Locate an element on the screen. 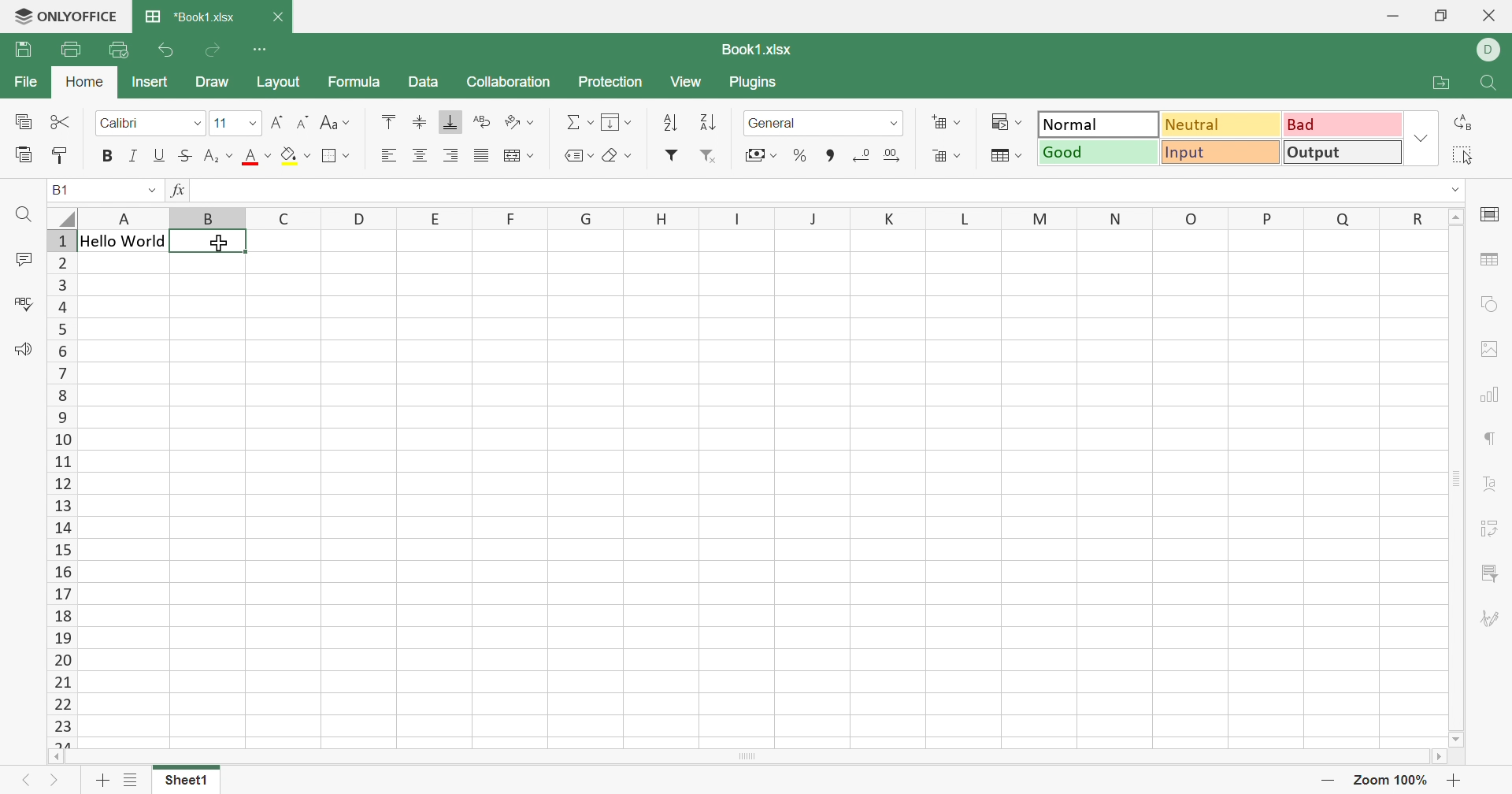  Fill is located at coordinates (615, 121).